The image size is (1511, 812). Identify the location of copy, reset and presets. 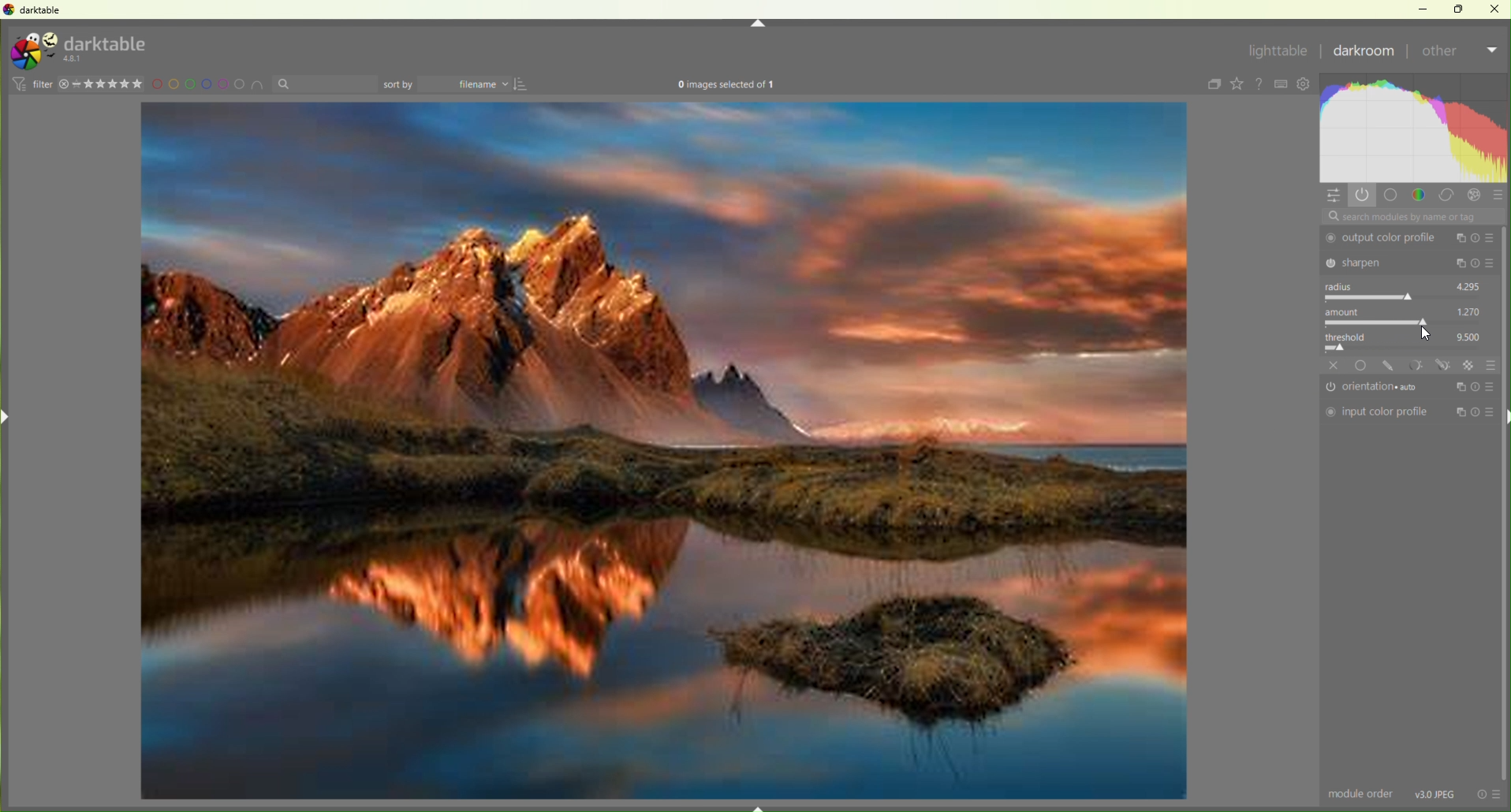
(1476, 264).